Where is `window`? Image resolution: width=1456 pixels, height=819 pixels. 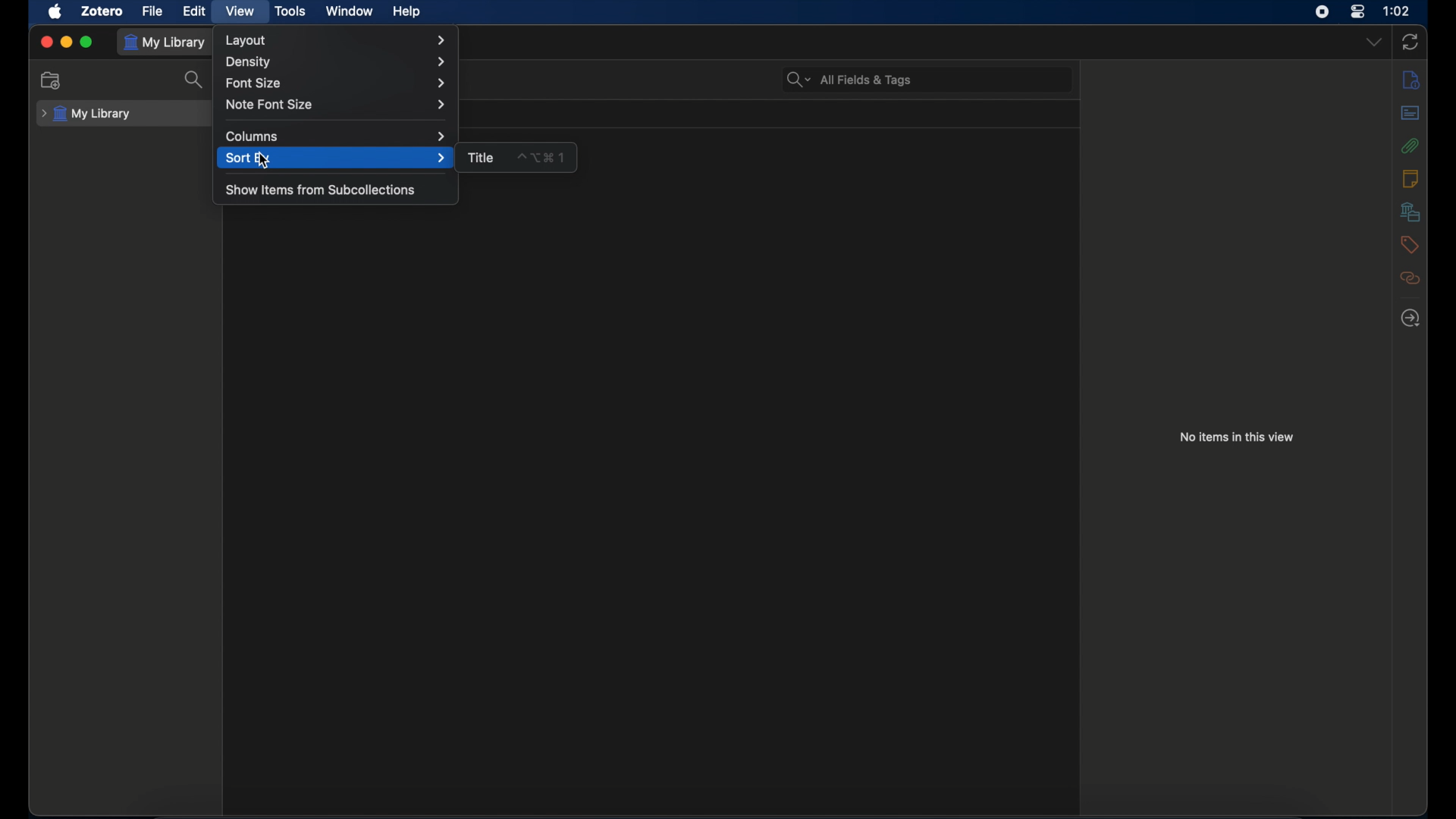 window is located at coordinates (350, 10).